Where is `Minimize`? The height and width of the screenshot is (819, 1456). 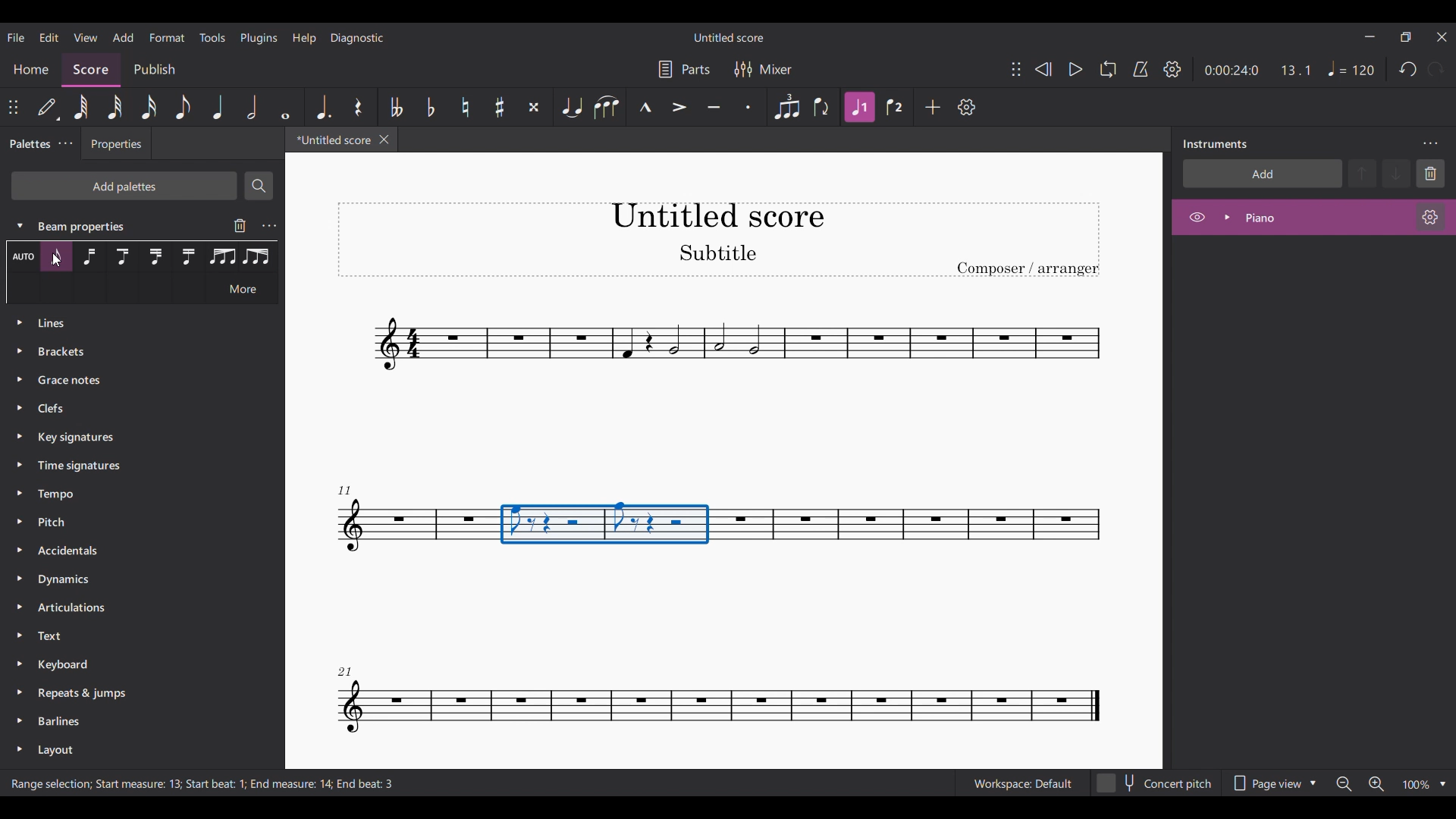
Minimize is located at coordinates (1370, 36).